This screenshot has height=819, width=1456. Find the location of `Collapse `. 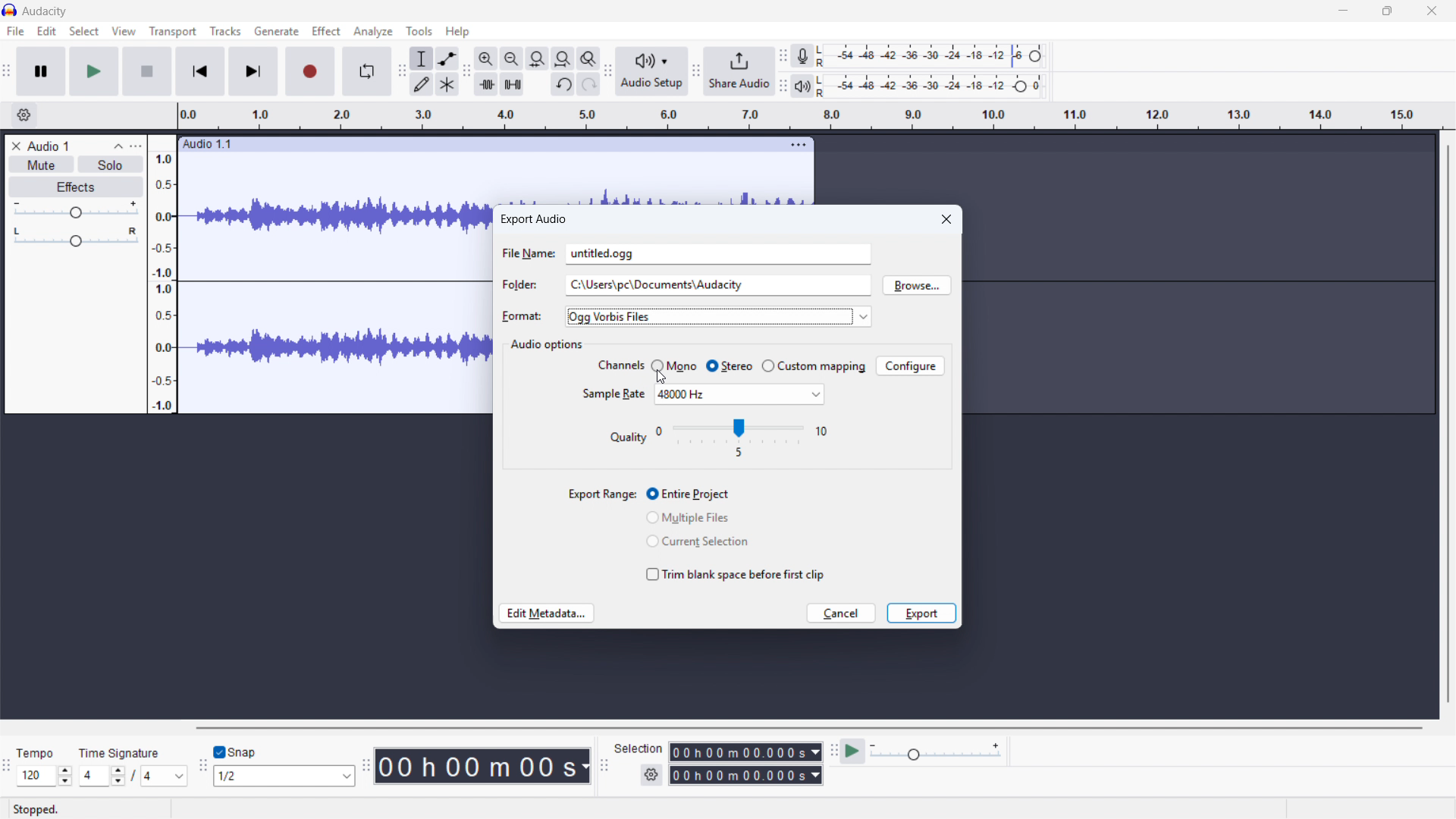

Collapse  is located at coordinates (118, 146).